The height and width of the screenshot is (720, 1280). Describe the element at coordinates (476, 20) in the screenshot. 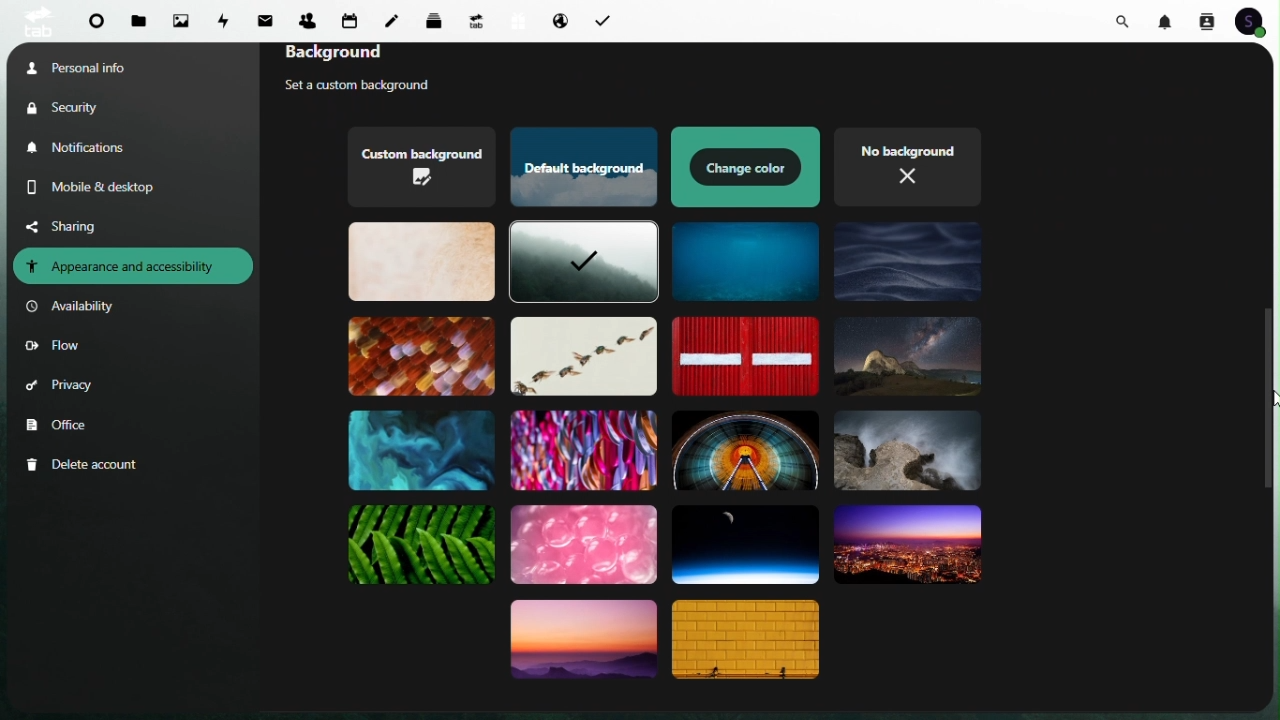

I see `Upgrade` at that location.